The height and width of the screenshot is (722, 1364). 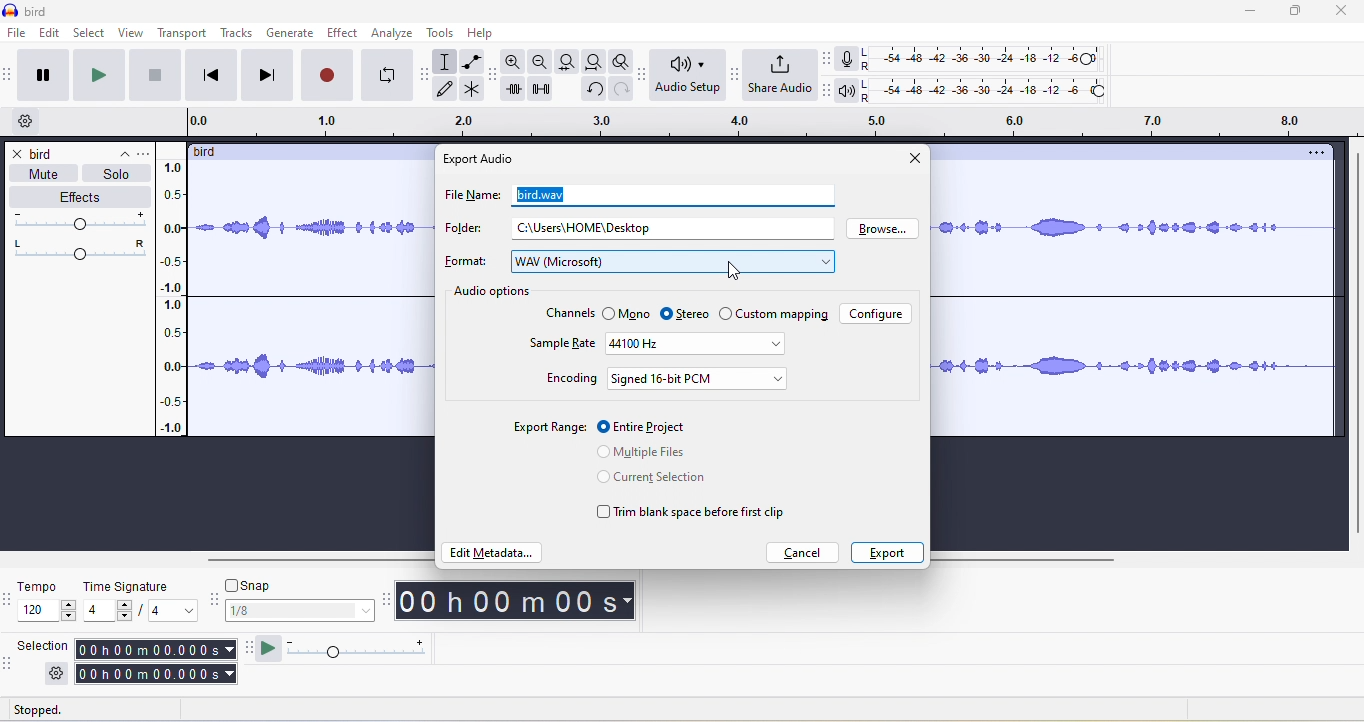 What do you see at coordinates (592, 64) in the screenshot?
I see `fit project to width` at bounding box center [592, 64].